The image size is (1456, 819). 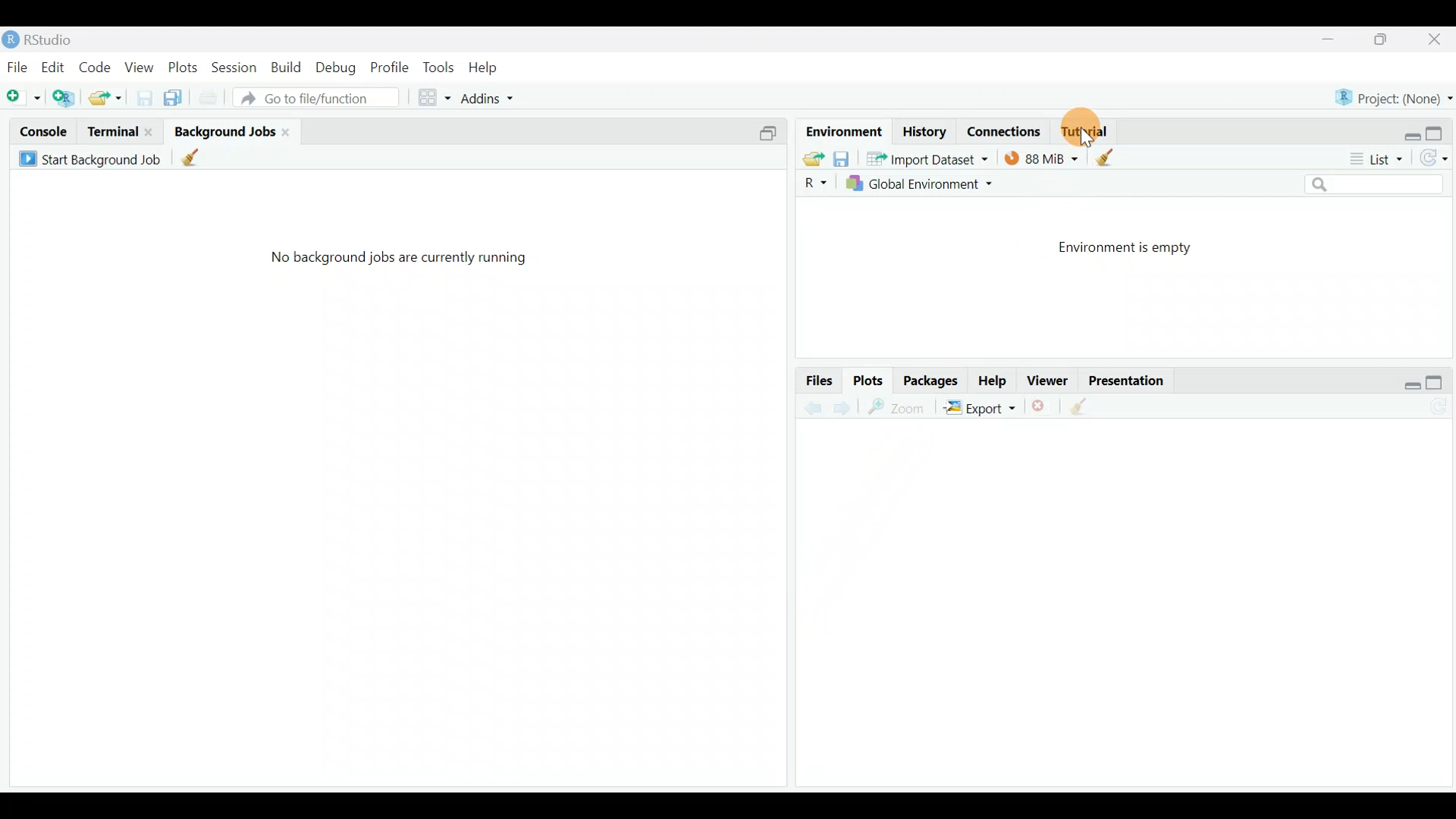 I want to click on Minimize, so click(x=1332, y=39).